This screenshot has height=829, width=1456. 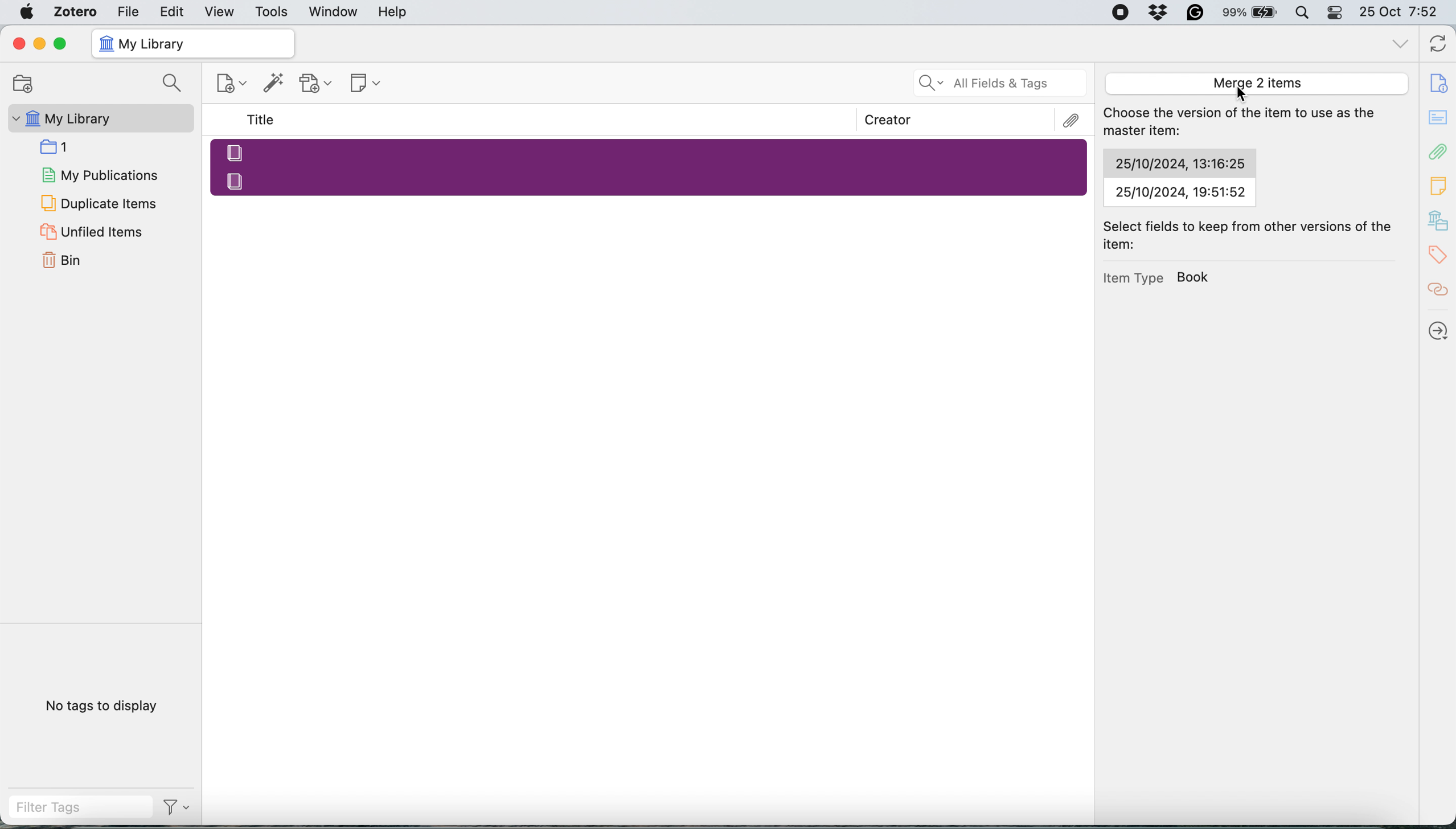 What do you see at coordinates (181, 807) in the screenshot?
I see `Filter Options` at bounding box center [181, 807].